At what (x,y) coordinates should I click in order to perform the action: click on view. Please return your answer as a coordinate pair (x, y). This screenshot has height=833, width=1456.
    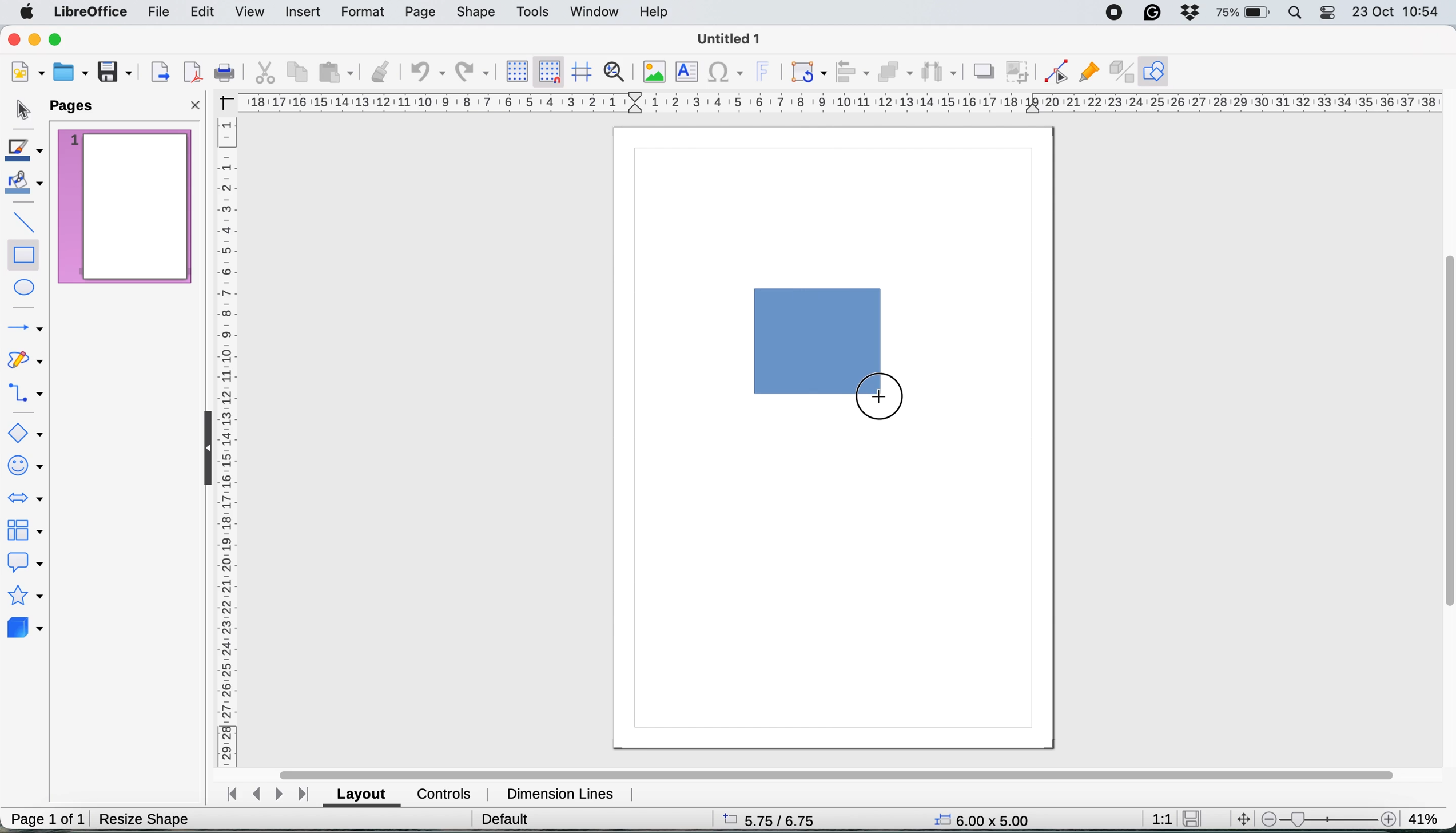
    Looking at the image, I should click on (252, 13).